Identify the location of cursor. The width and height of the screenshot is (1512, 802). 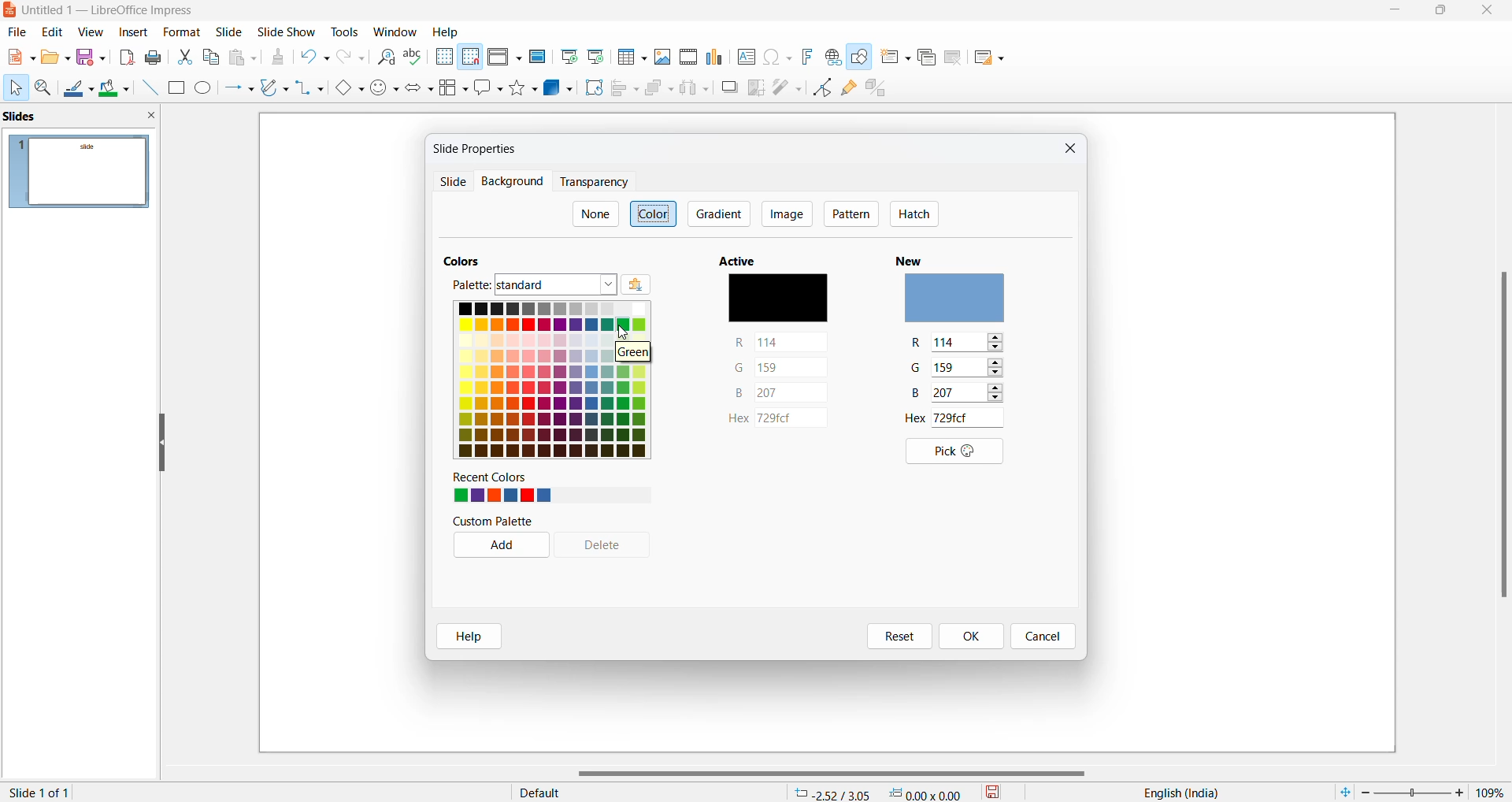
(623, 332).